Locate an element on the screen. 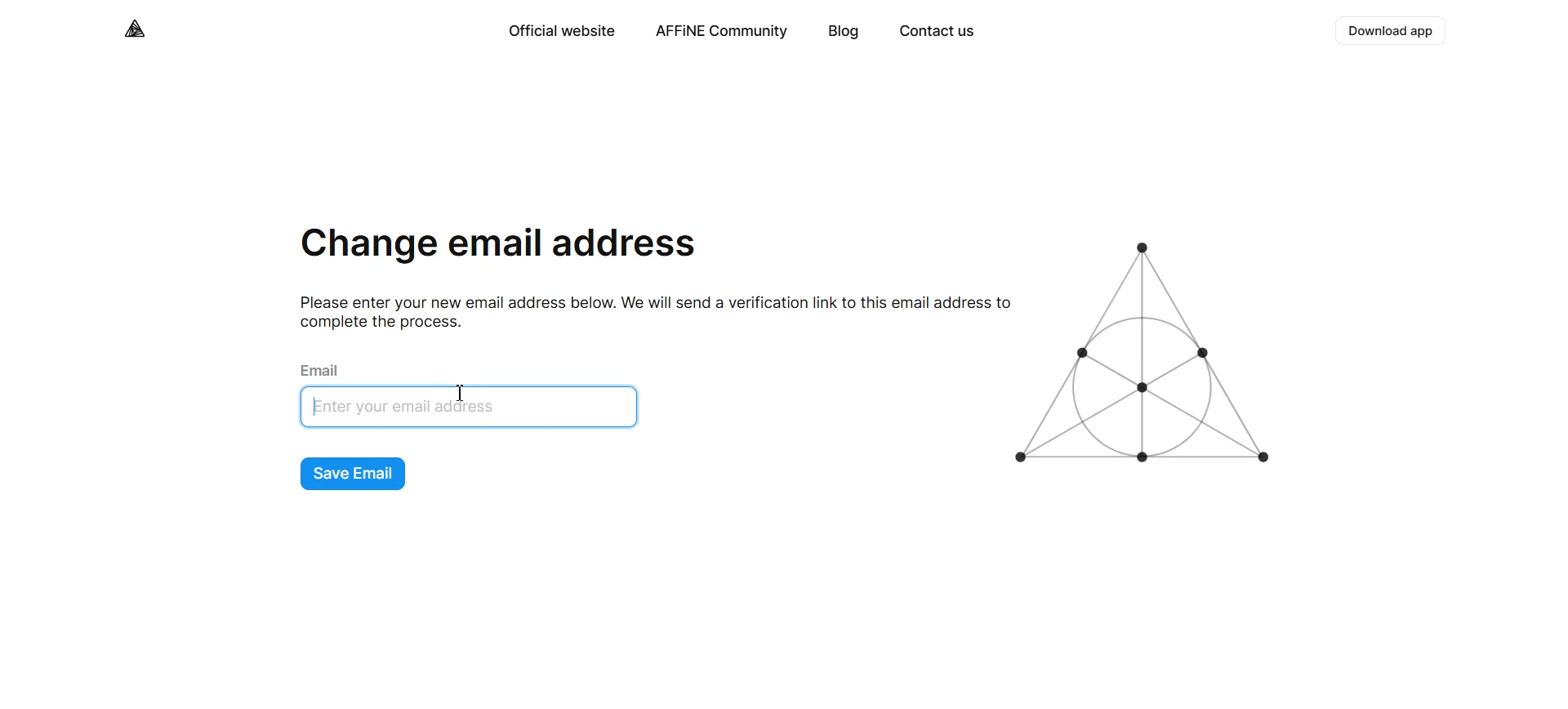  Contact us is located at coordinates (936, 33).